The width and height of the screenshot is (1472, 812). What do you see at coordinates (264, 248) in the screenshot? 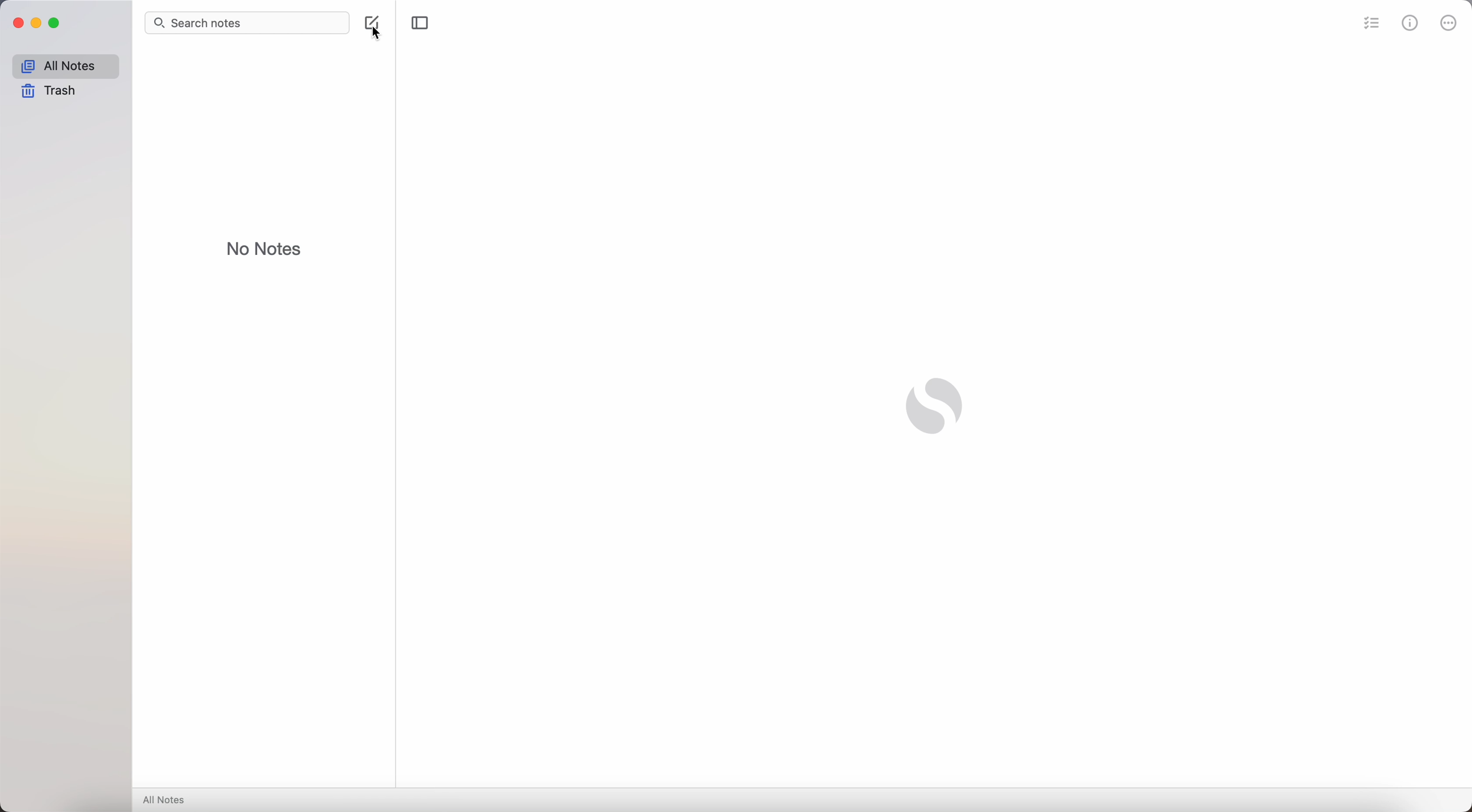
I see `no notes` at bounding box center [264, 248].